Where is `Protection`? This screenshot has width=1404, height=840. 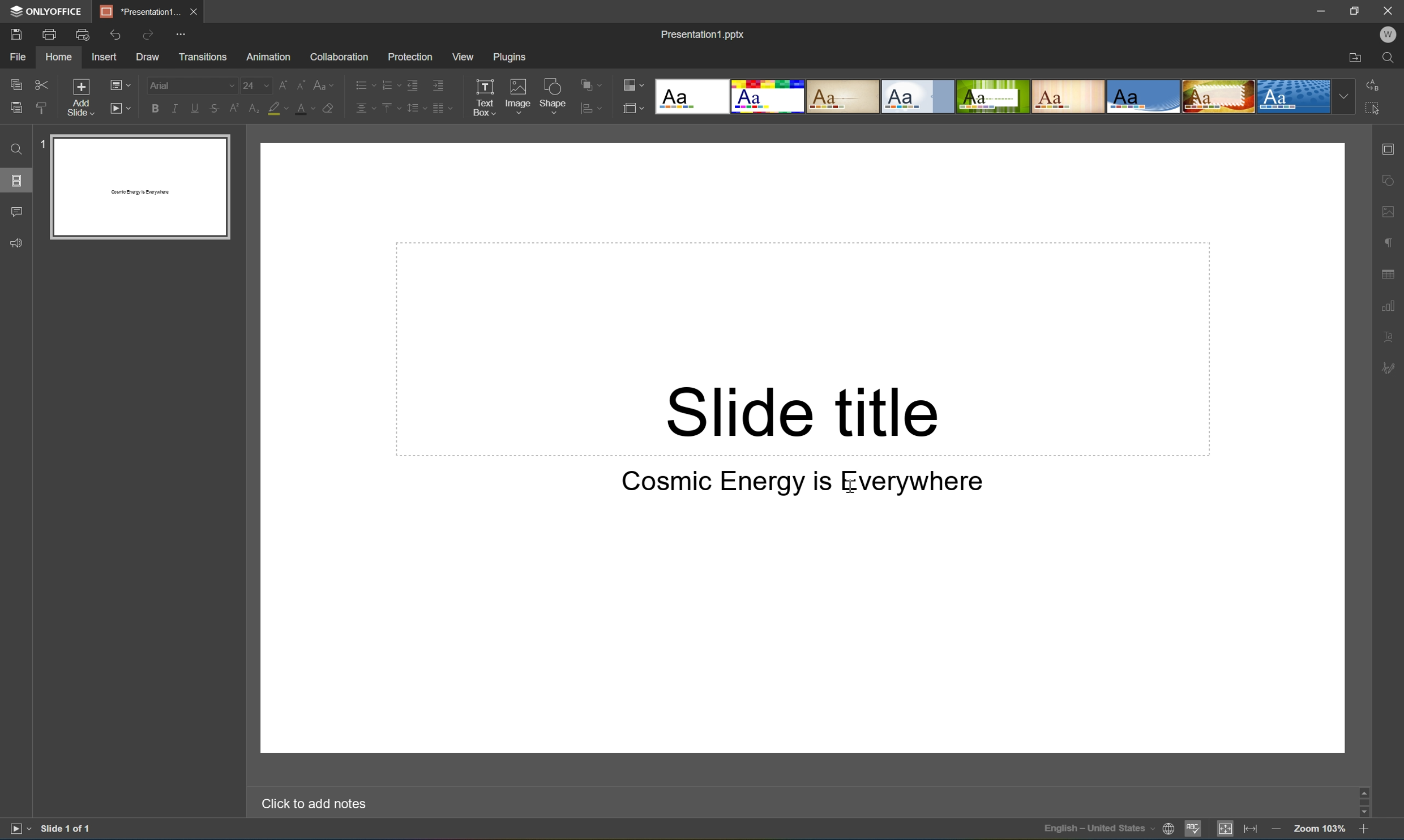 Protection is located at coordinates (410, 54).